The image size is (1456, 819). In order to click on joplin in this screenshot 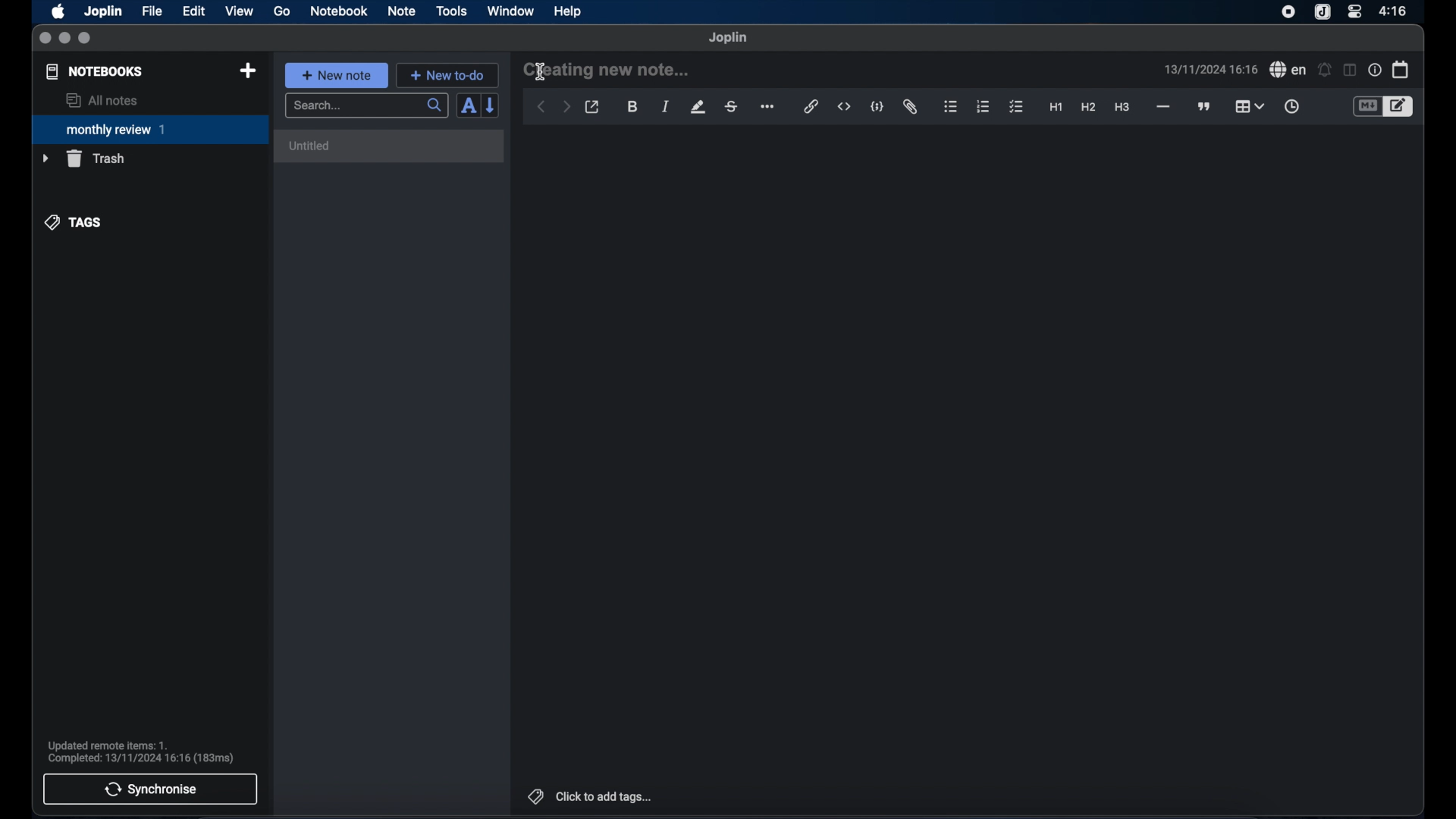, I will do `click(728, 37)`.